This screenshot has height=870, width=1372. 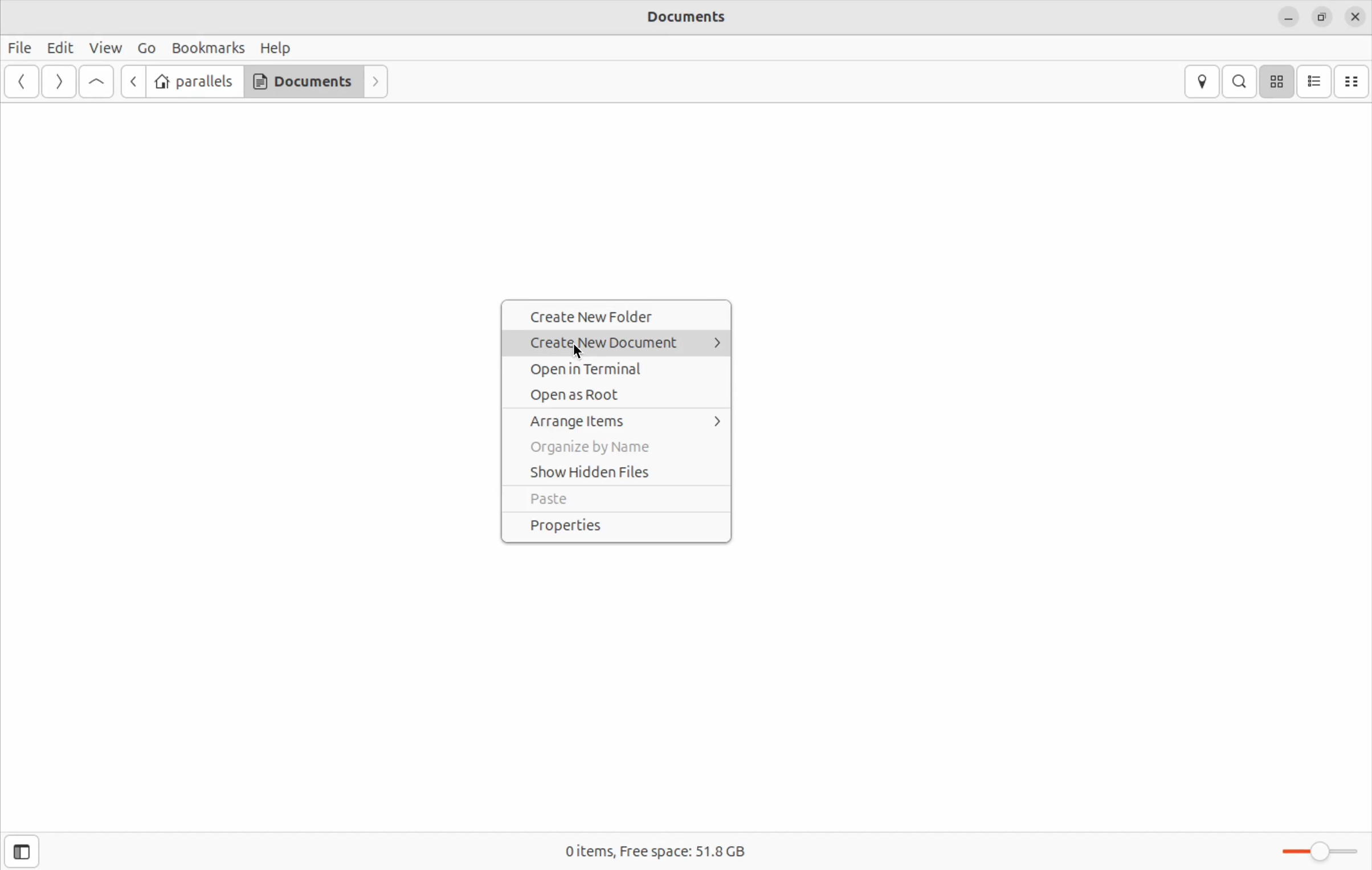 What do you see at coordinates (19, 851) in the screenshot?
I see `open sidebar` at bounding box center [19, 851].